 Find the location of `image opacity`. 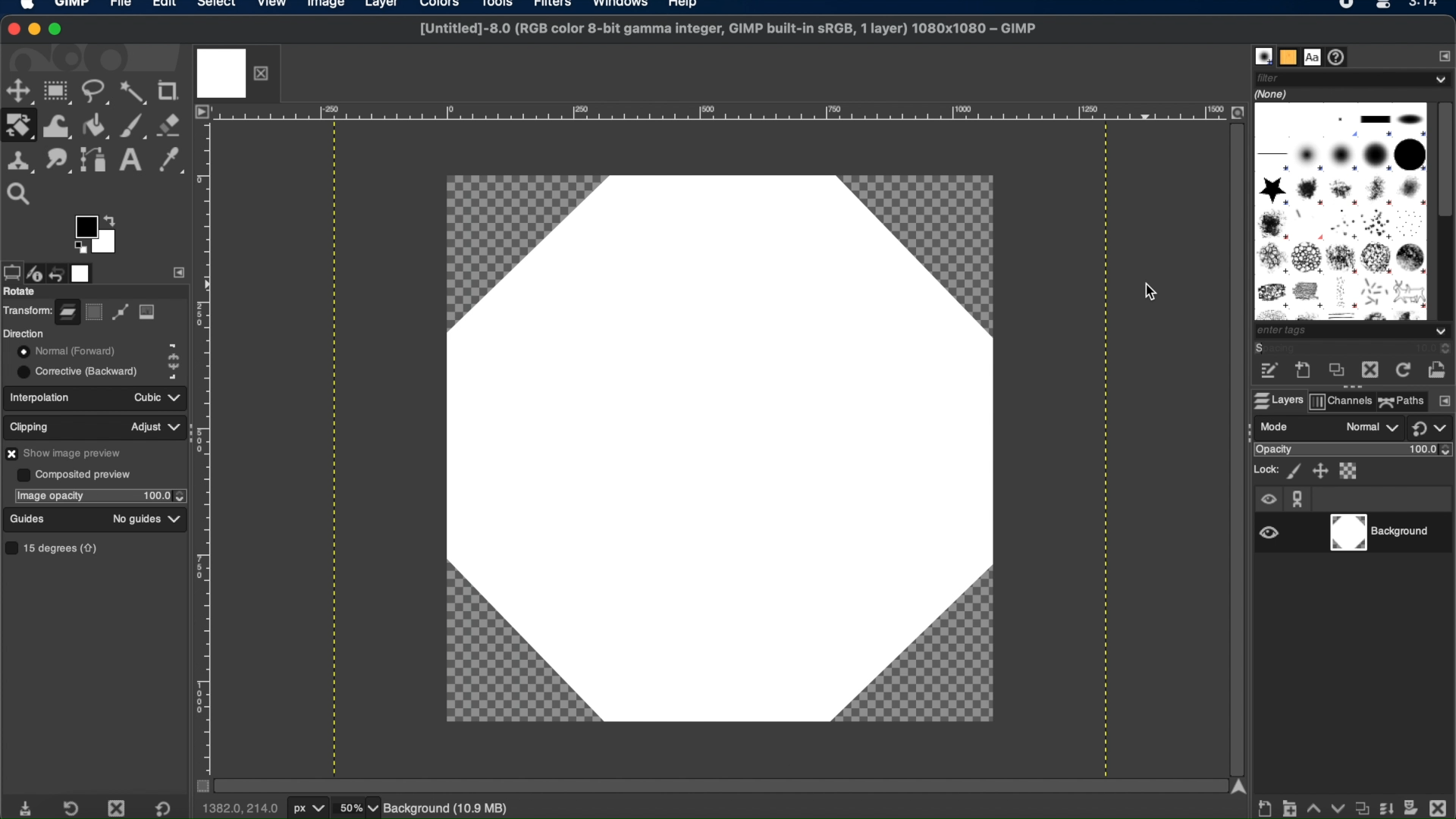

image opacity is located at coordinates (49, 496).